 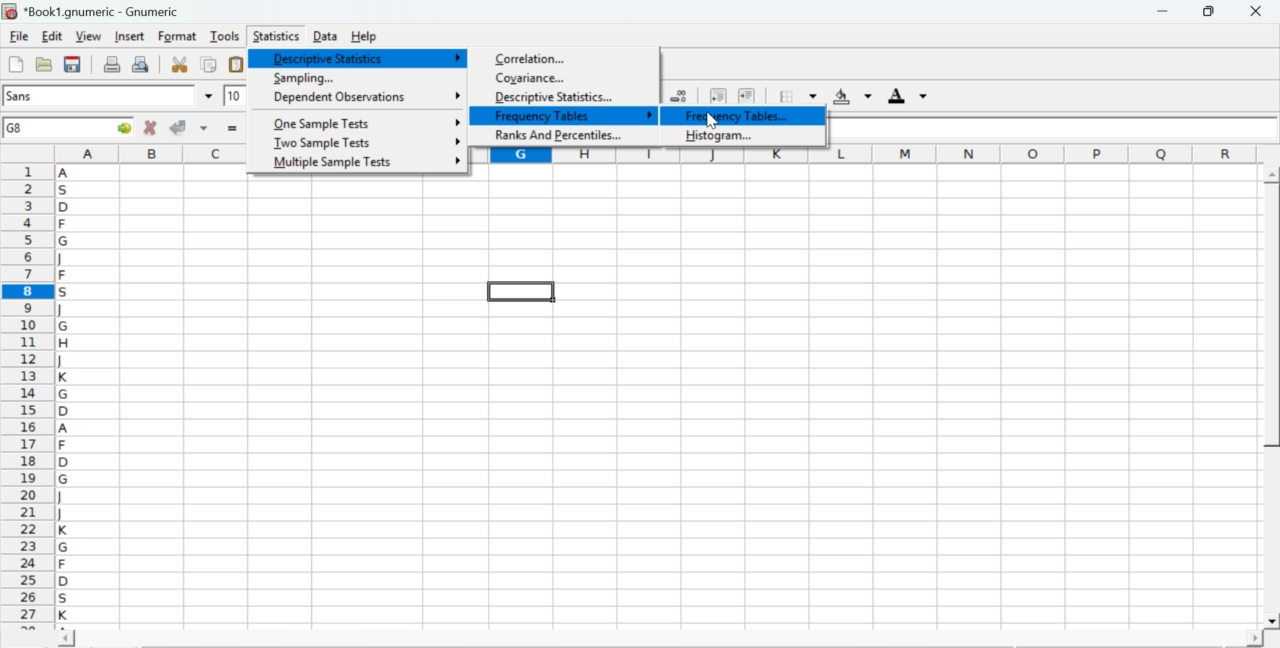 I want to click on decrease indent, so click(x=718, y=95).